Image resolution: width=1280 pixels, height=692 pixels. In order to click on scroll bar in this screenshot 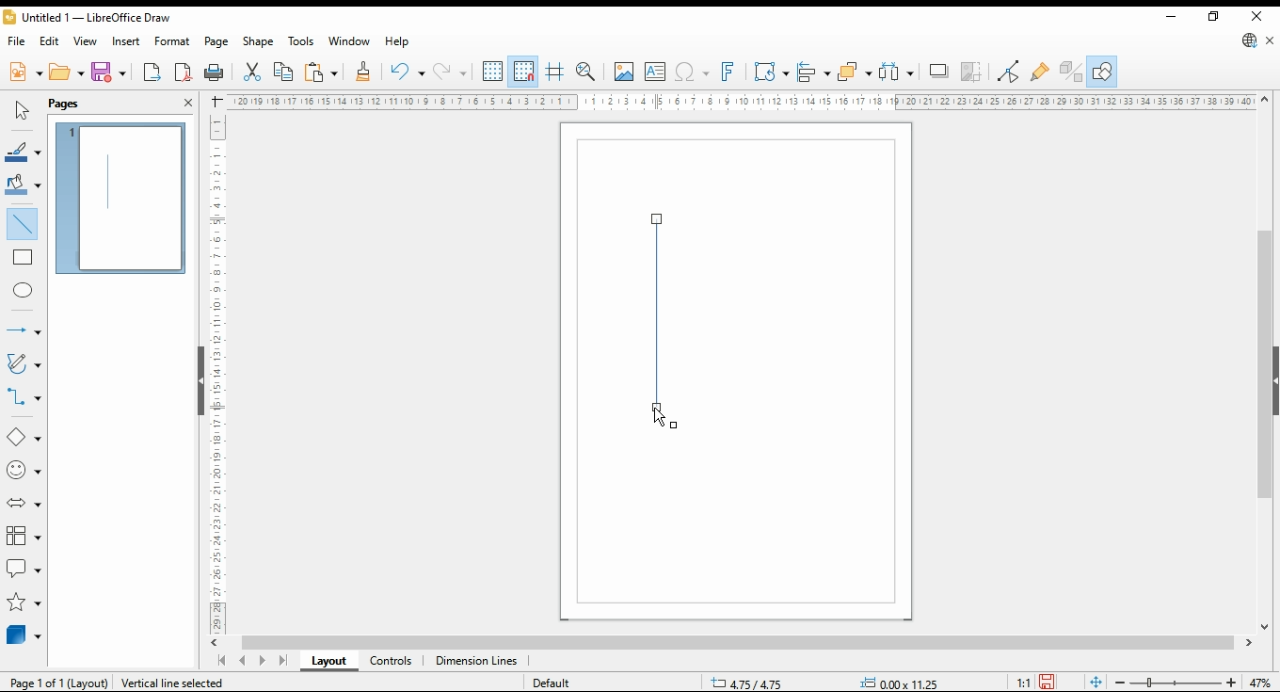, I will do `click(1264, 359)`.